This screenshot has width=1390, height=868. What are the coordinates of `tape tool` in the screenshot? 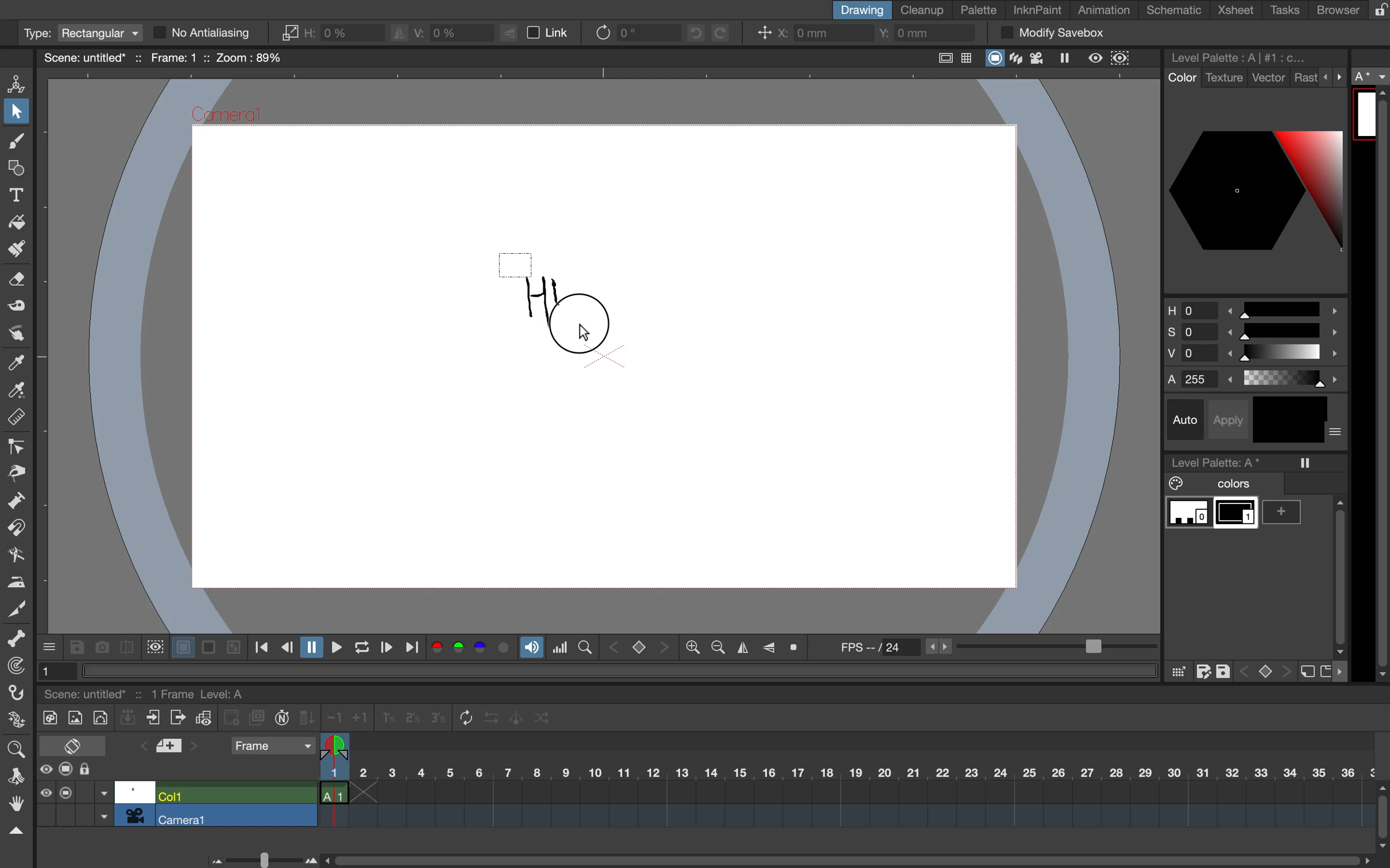 It's located at (14, 308).